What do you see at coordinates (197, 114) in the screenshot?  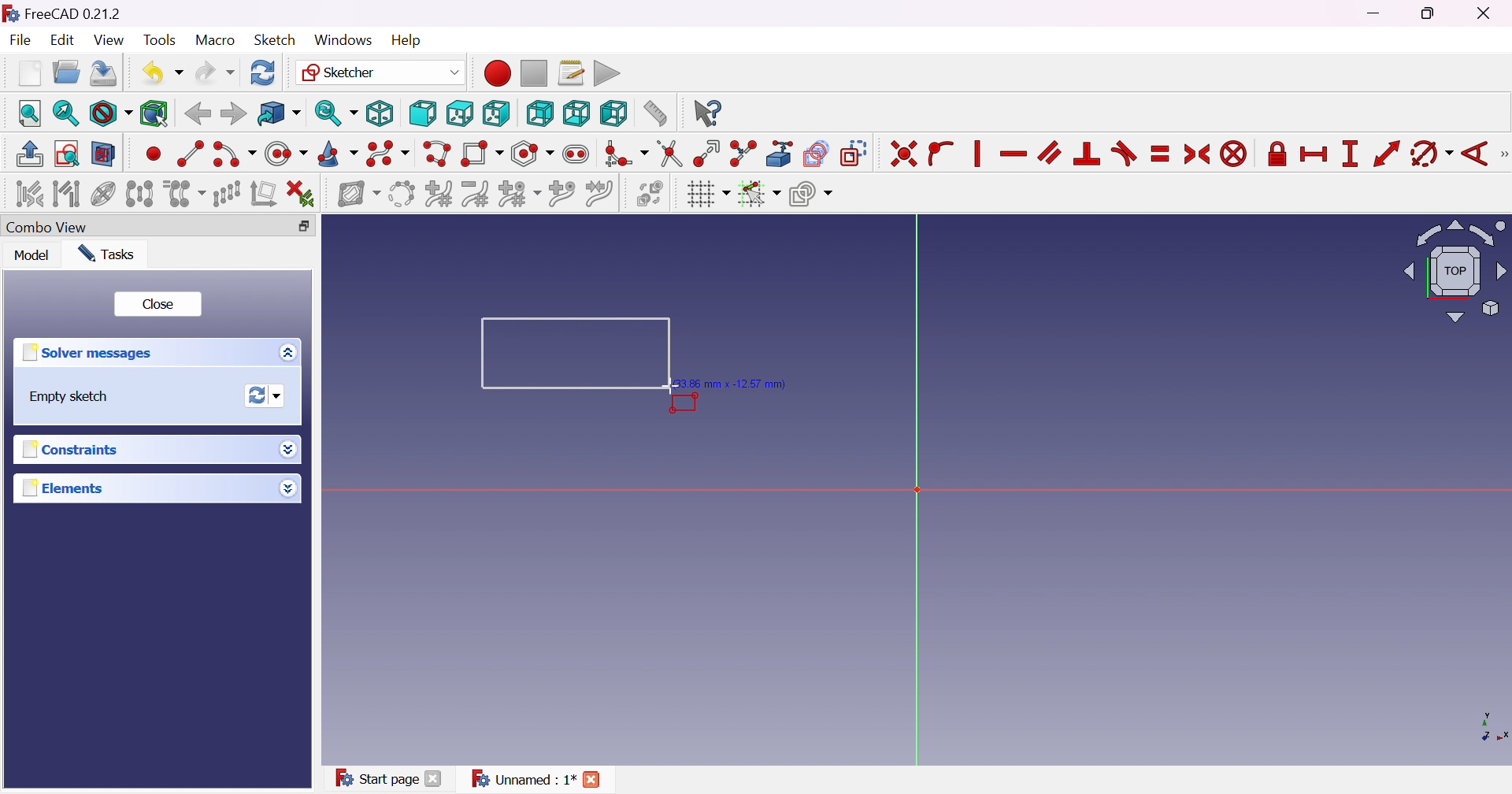 I see `Back` at bounding box center [197, 114].